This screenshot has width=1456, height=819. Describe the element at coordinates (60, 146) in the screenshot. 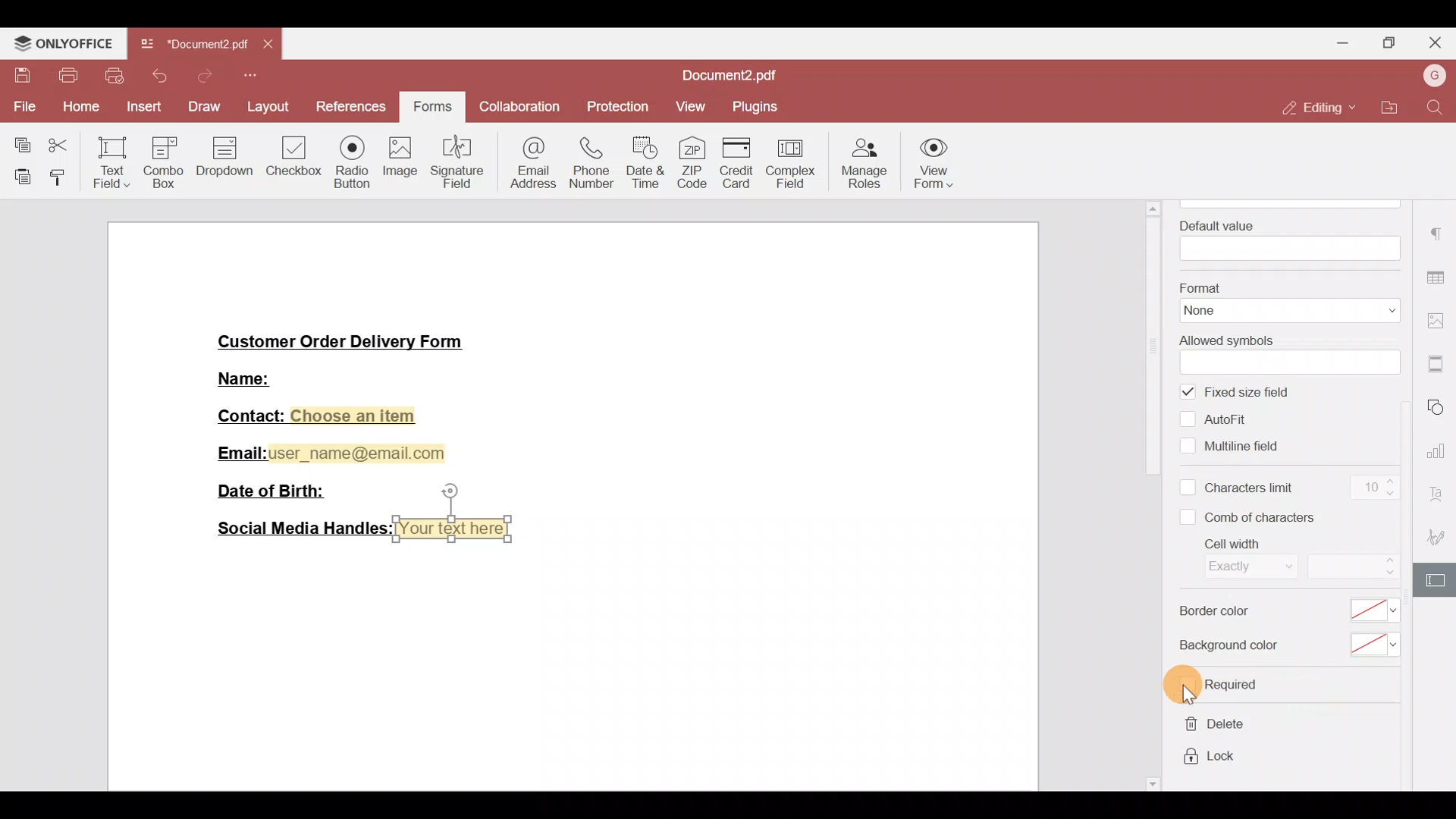

I see `Cut` at that location.